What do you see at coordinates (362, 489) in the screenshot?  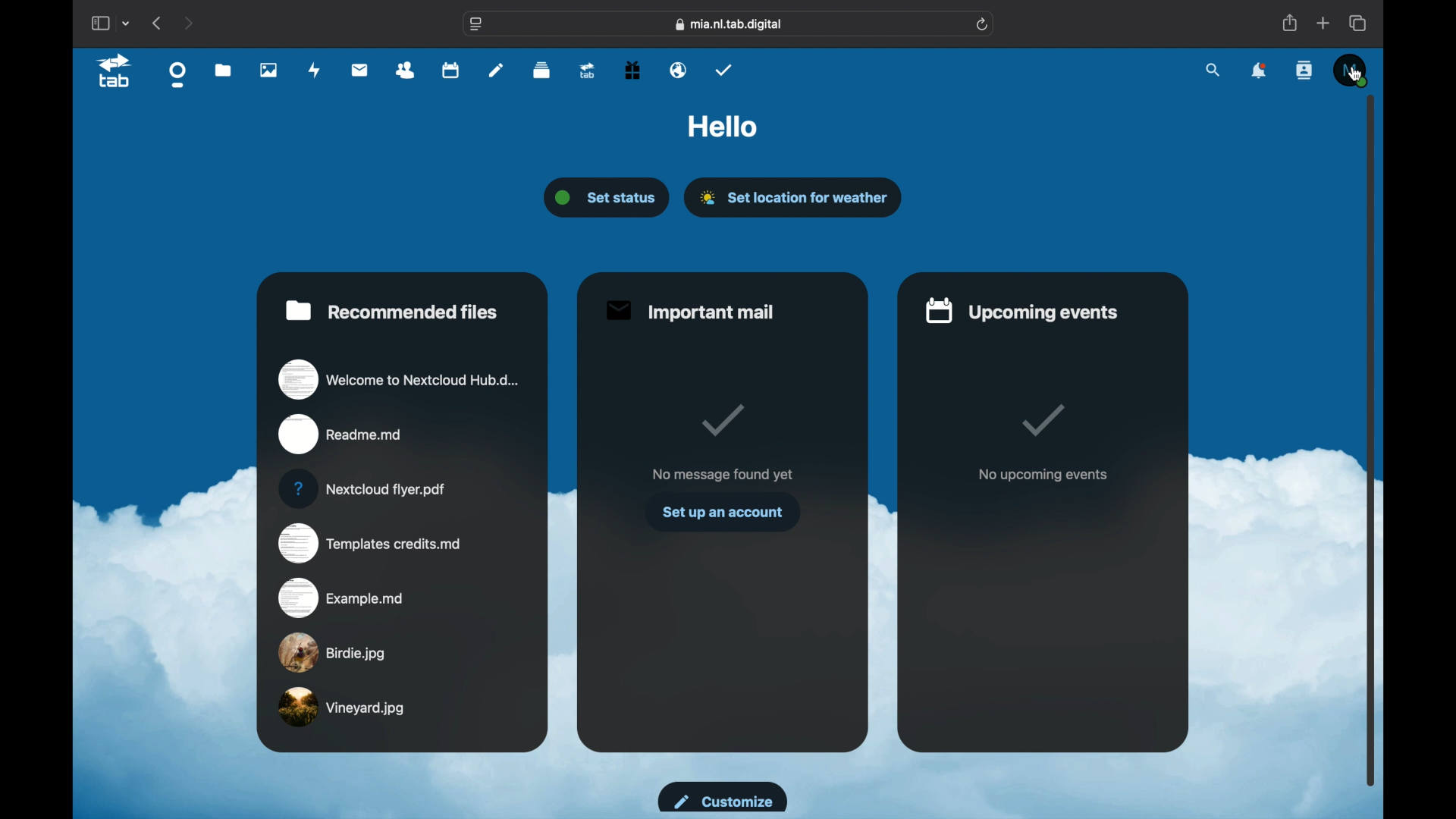 I see `next cloud flyer` at bounding box center [362, 489].